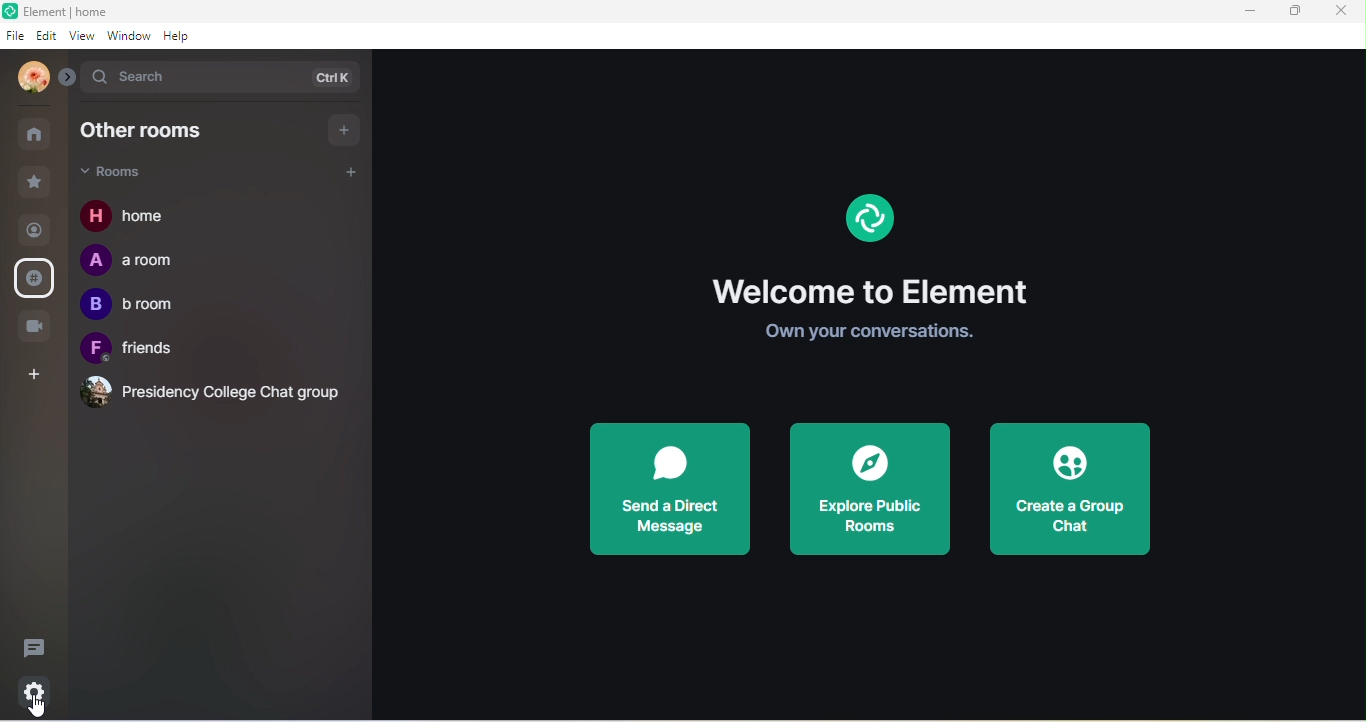 This screenshot has width=1366, height=722. What do you see at coordinates (66, 78) in the screenshot?
I see `expand` at bounding box center [66, 78].